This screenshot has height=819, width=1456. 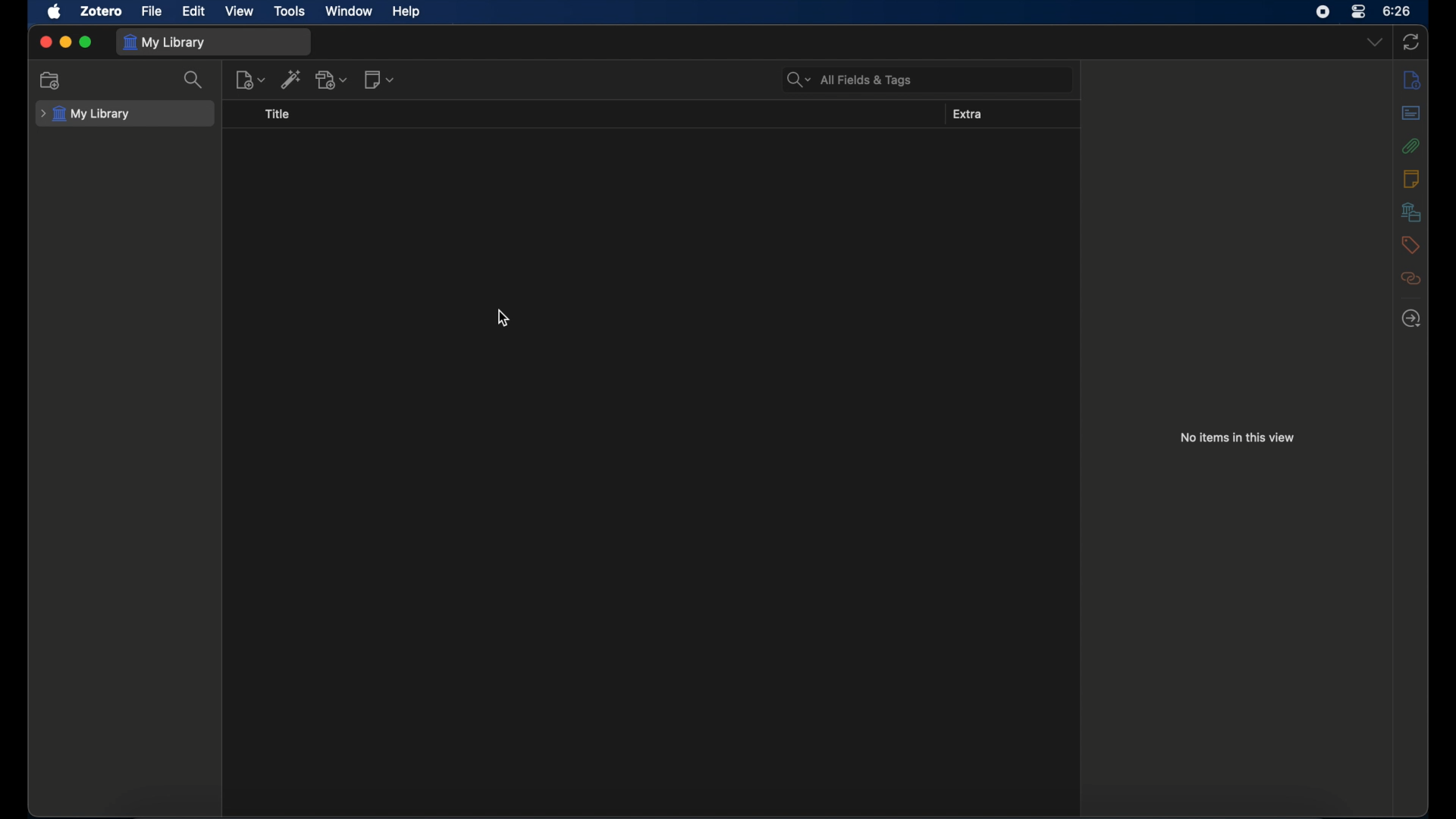 I want to click on screen recorder, so click(x=1323, y=11).